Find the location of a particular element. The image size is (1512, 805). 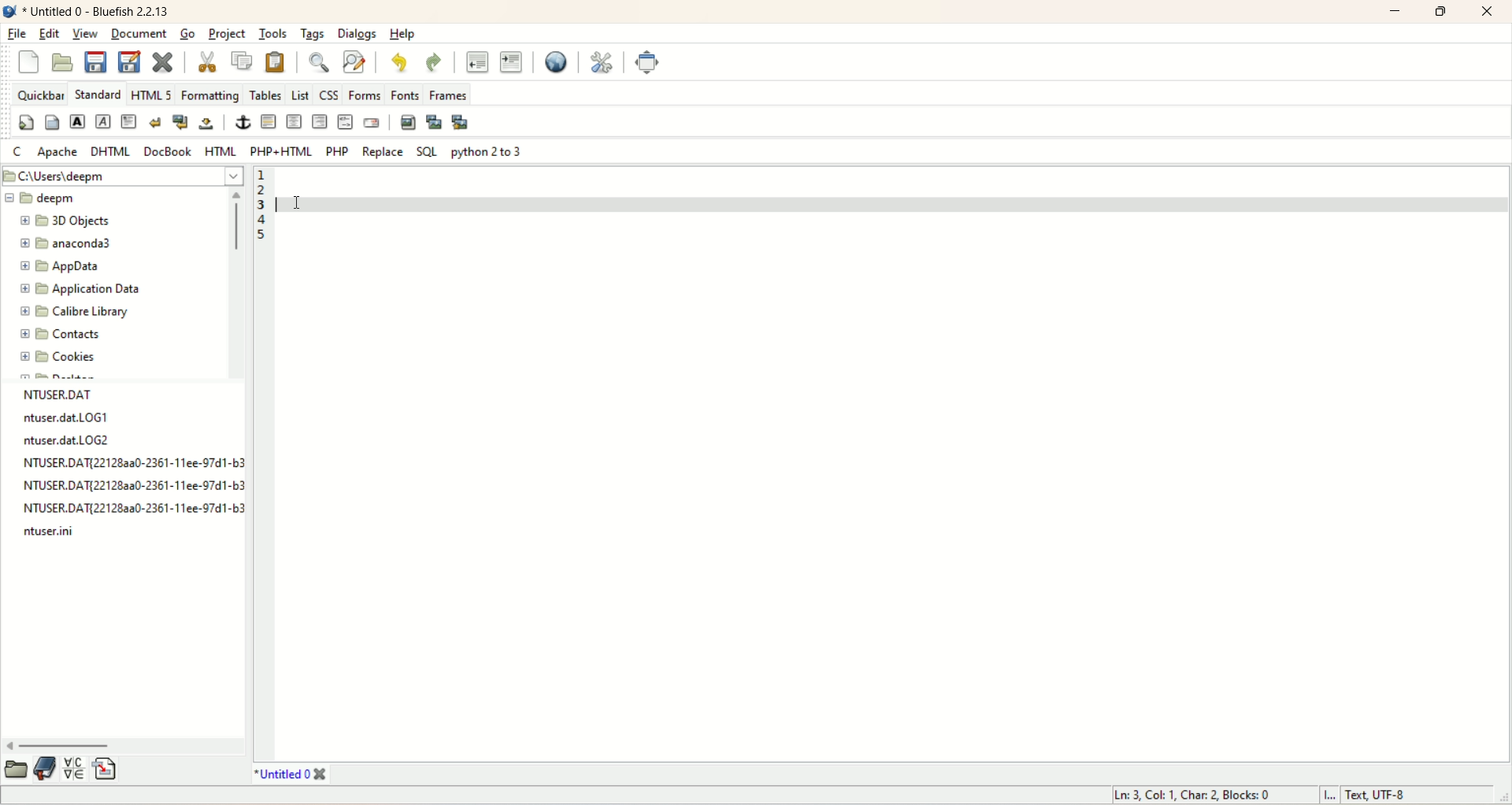

formatting is located at coordinates (211, 95).